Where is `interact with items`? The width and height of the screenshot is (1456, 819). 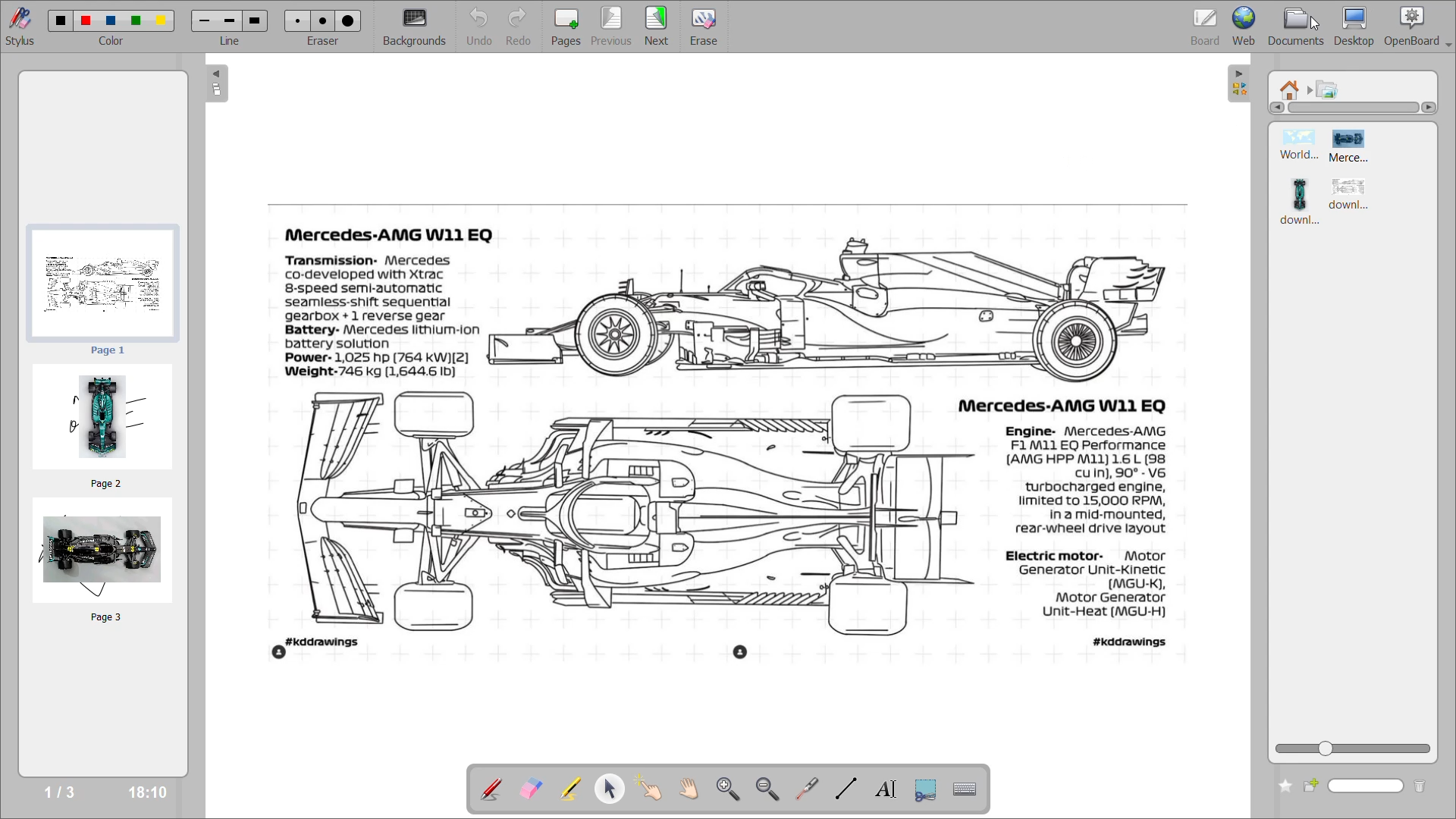 interact with items is located at coordinates (655, 789).